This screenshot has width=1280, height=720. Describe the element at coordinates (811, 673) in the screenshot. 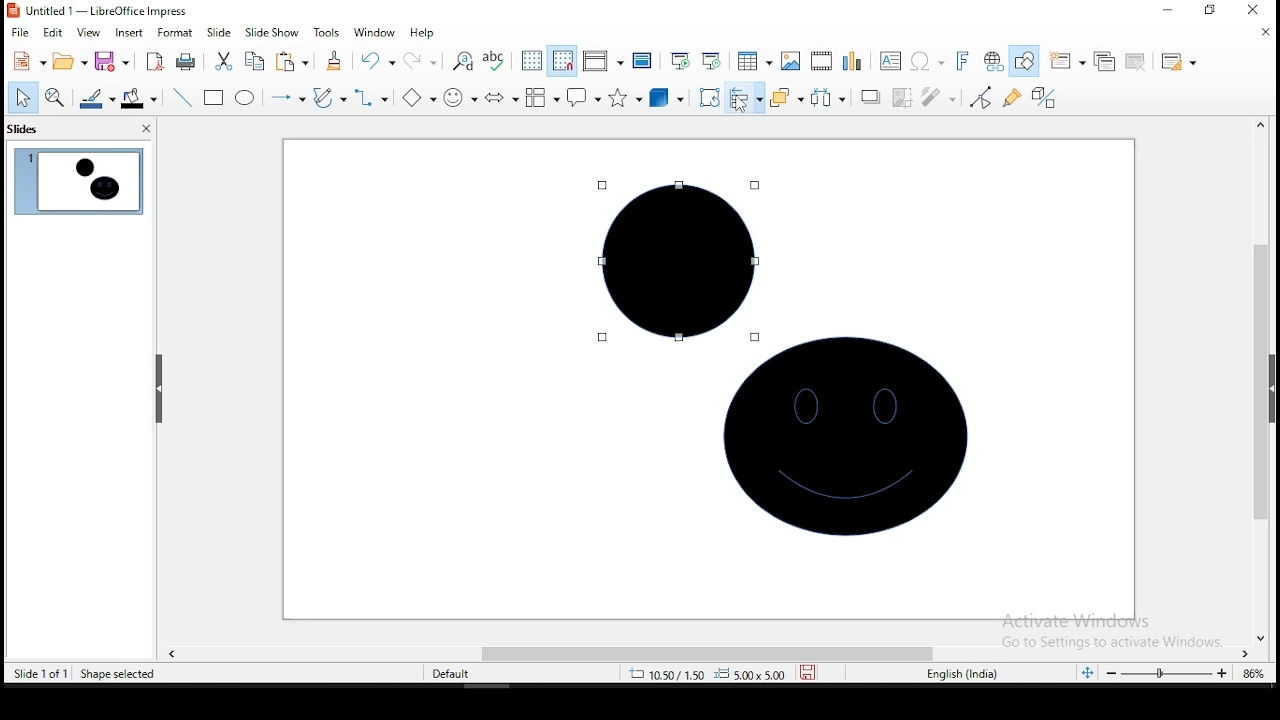

I see `save` at that location.